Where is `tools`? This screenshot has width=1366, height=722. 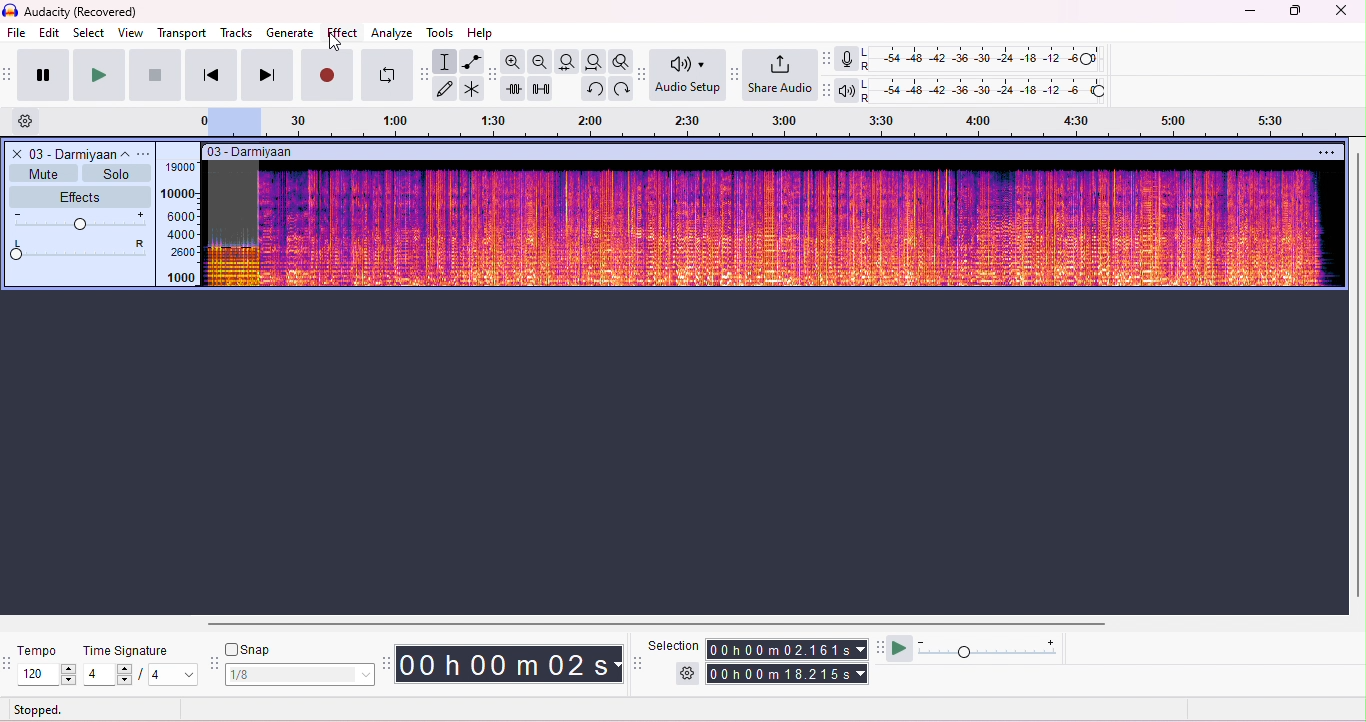
tools is located at coordinates (439, 32).